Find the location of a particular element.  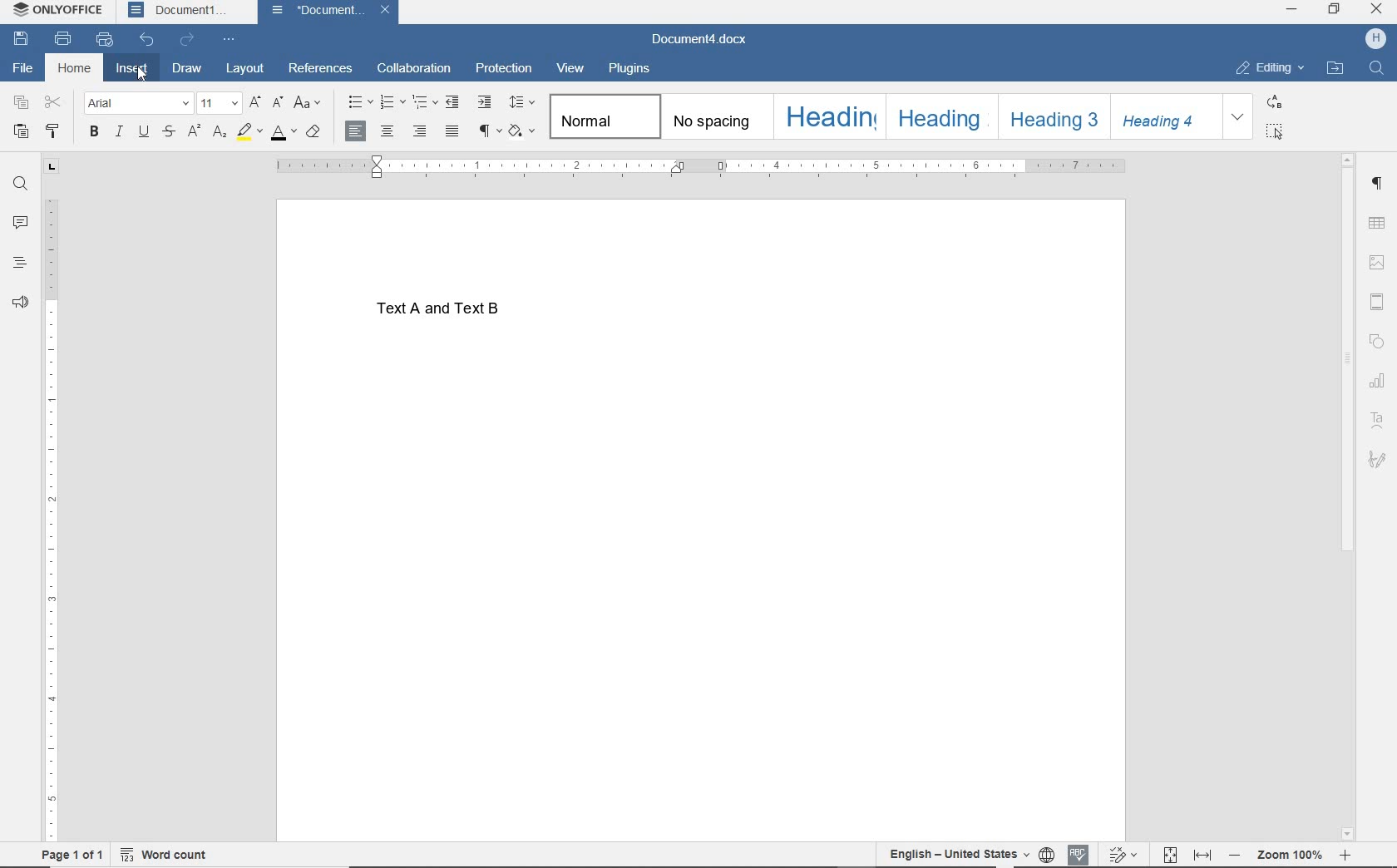

TABLE is located at coordinates (1377, 224).